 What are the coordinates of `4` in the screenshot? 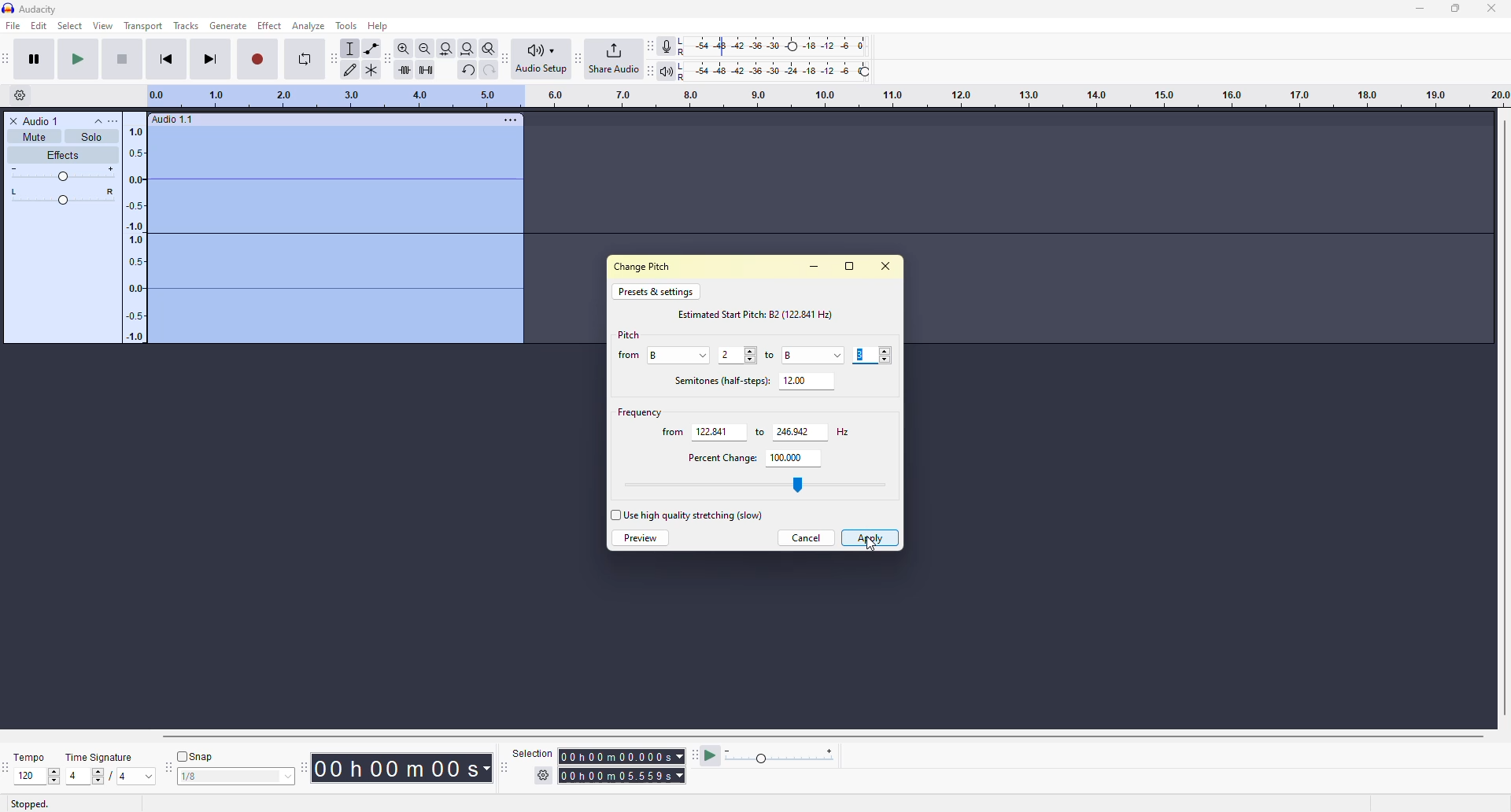 It's located at (123, 778).